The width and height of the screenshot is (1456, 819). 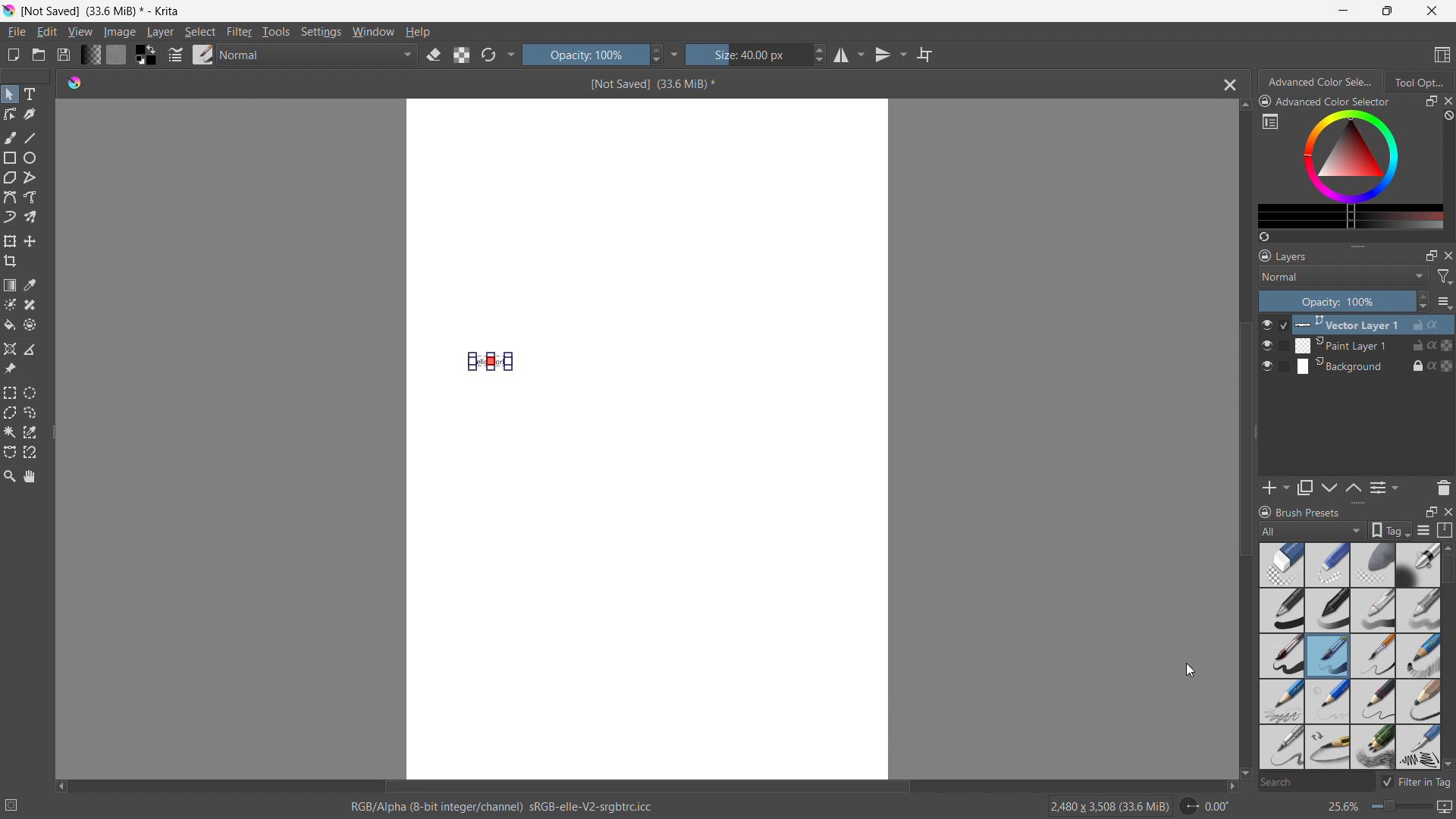 I want to click on scroll down, so click(x=1244, y=774).